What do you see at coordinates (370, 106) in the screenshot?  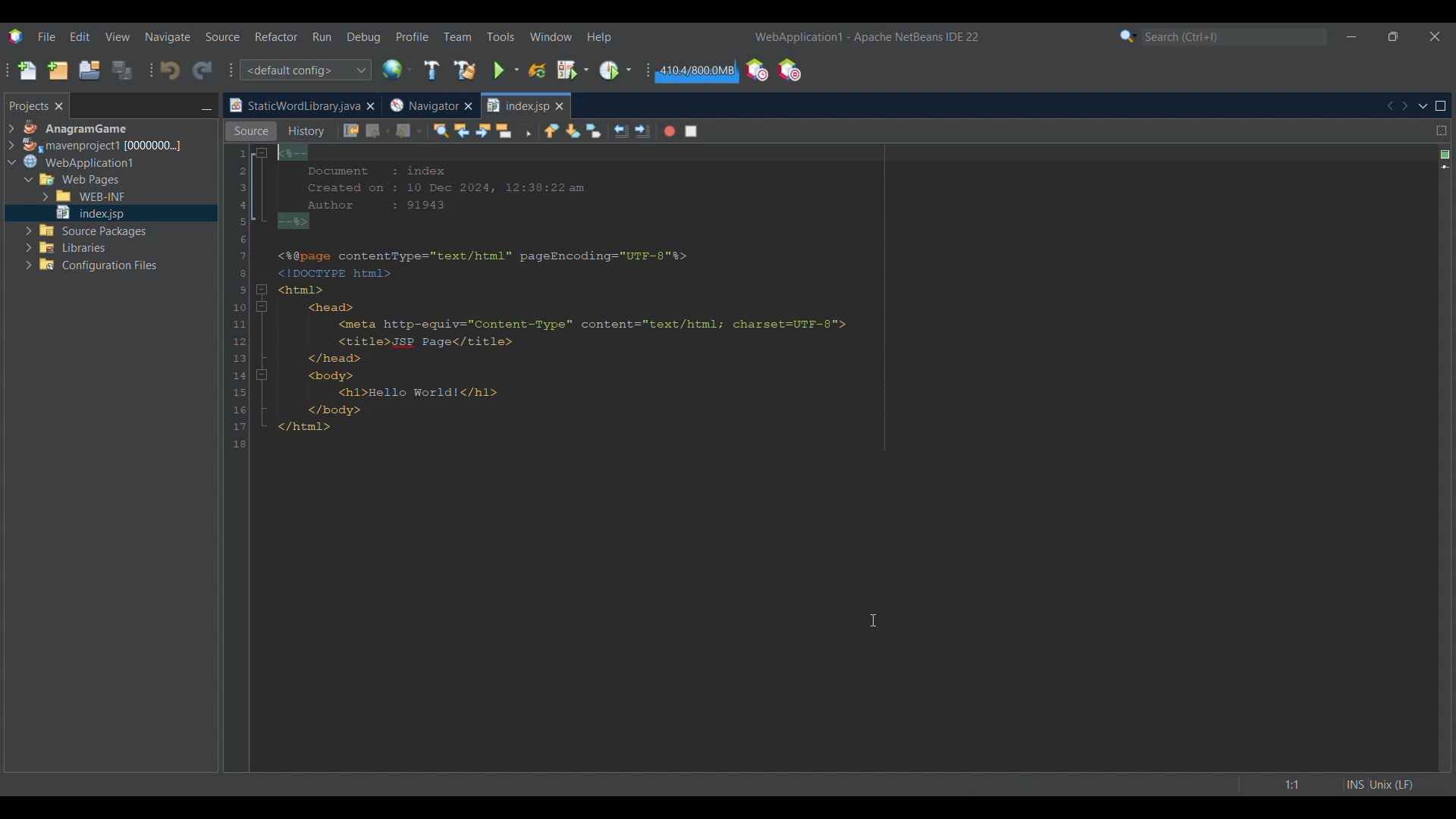 I see `Close` at bounding box center [370, 106].